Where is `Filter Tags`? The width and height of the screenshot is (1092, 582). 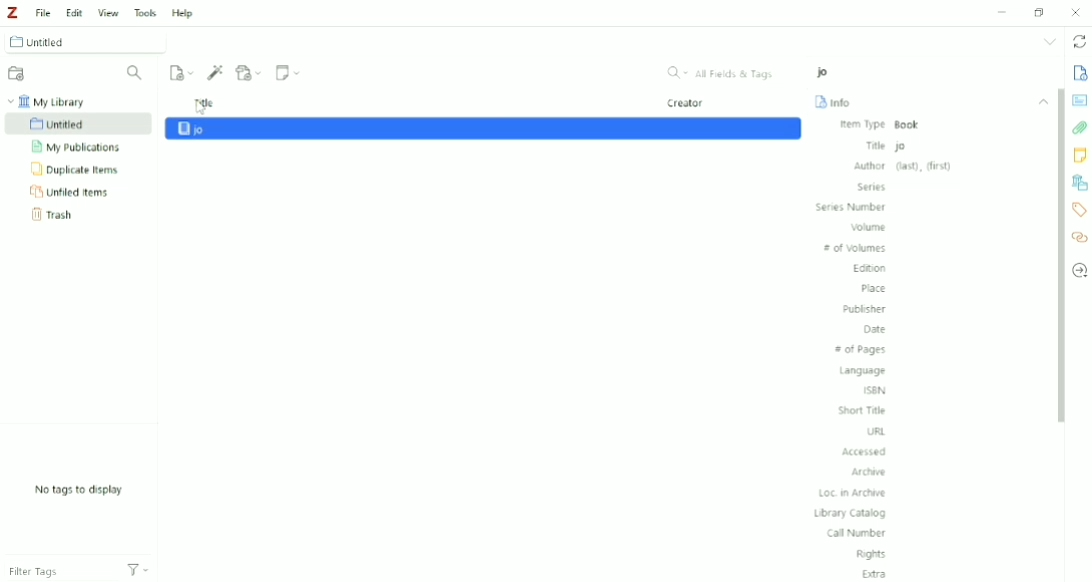 Filter Tags is located at coordinates (55, 571).